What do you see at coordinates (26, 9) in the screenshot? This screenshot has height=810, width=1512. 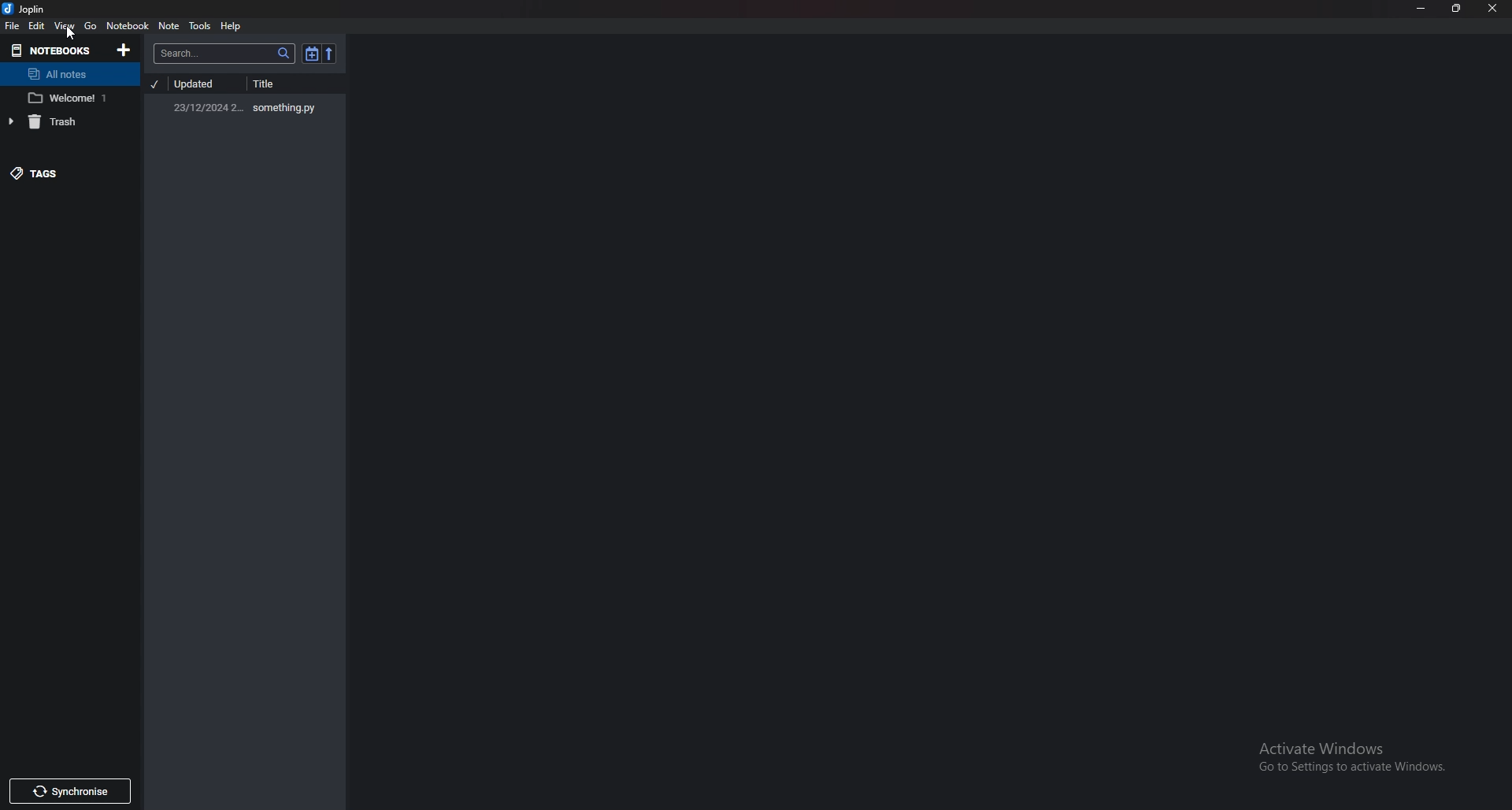 I see `joplin` at bounding box center [26, 9].